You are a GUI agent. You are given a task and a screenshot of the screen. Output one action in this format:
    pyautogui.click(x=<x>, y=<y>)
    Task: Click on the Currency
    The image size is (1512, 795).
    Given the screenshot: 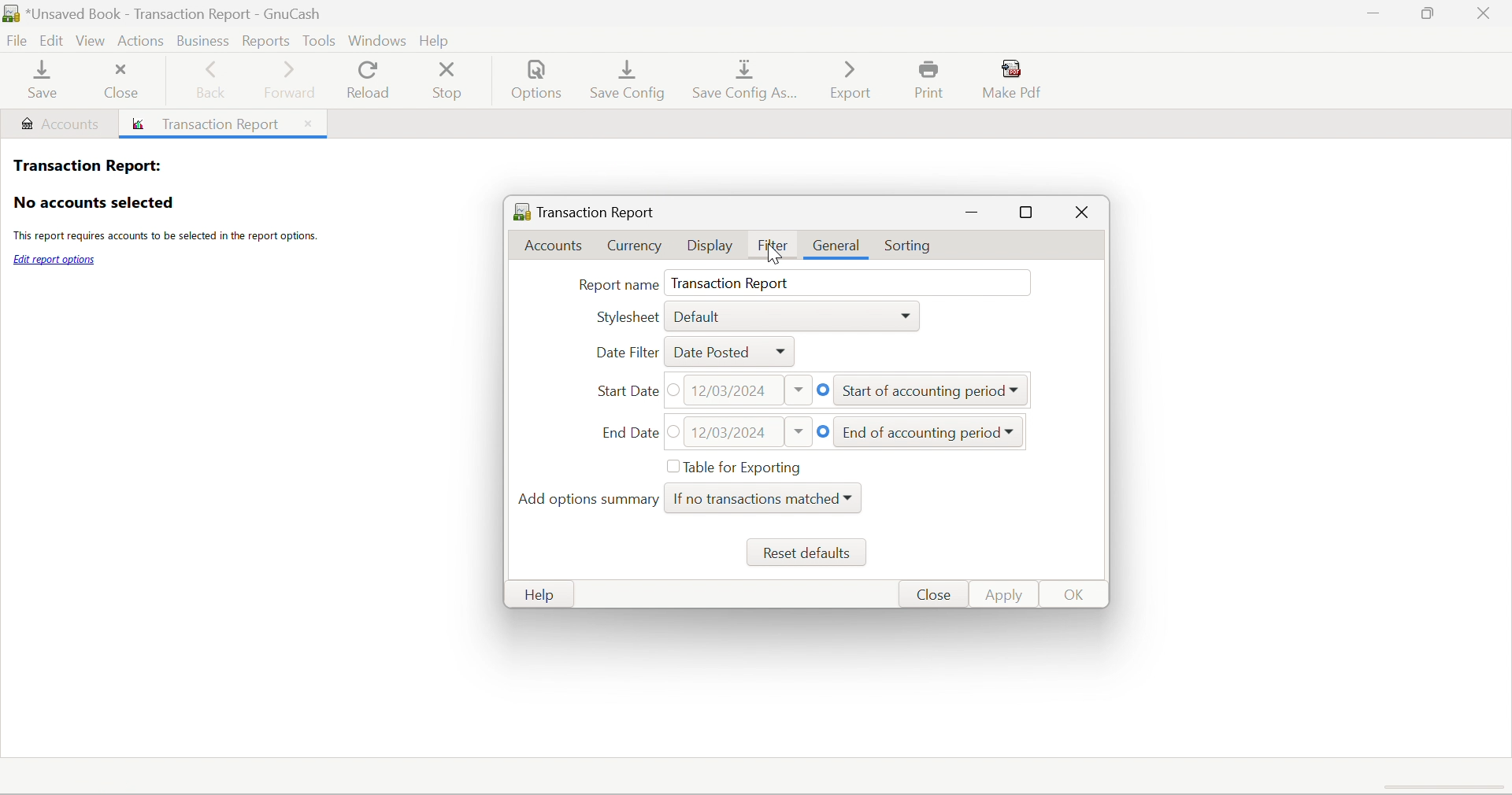 What is the action you would take?
    pyautogui.click(x=636, y=246)
    